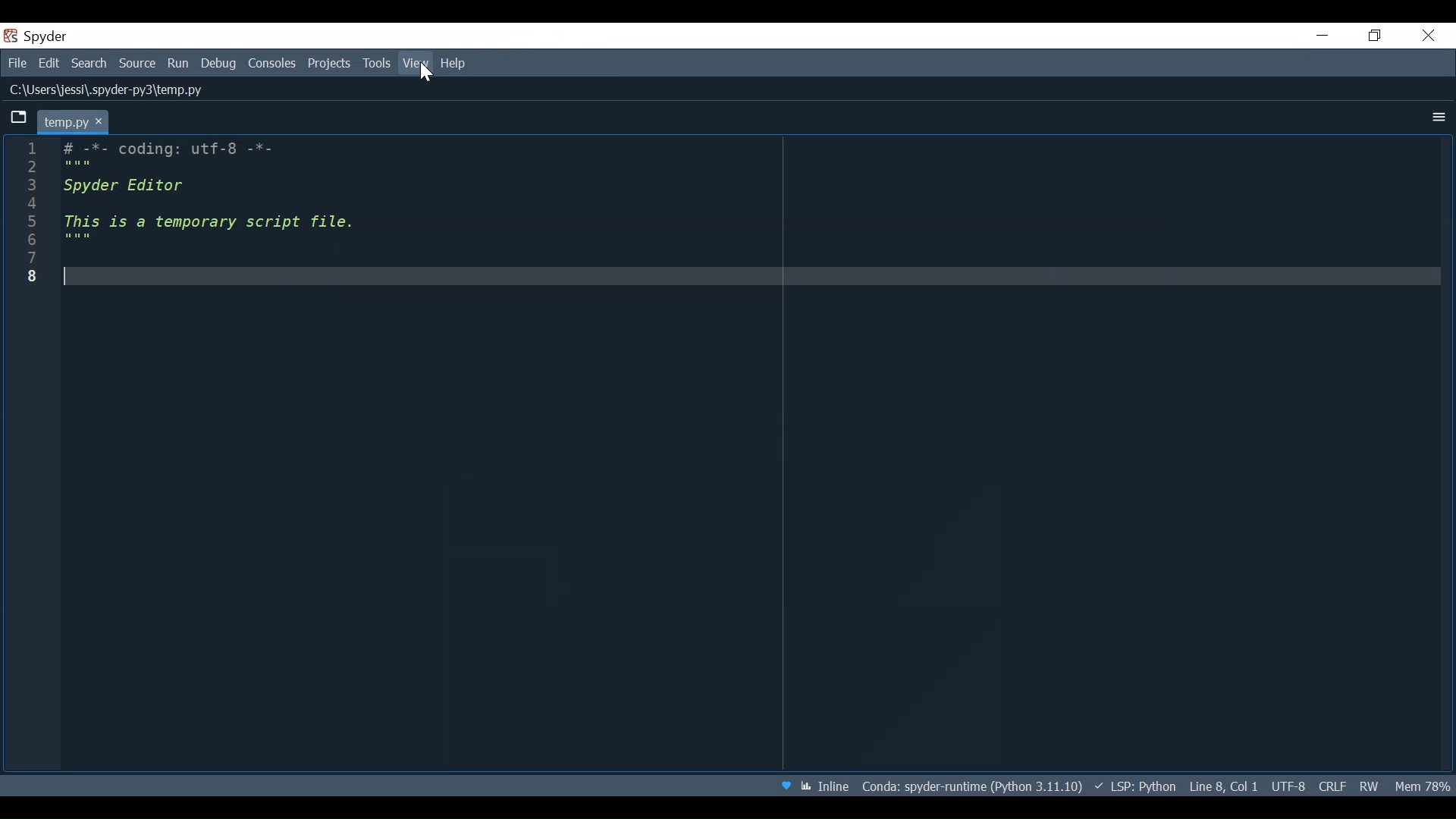  I want to click on Browse Tab, so click(22, 121).